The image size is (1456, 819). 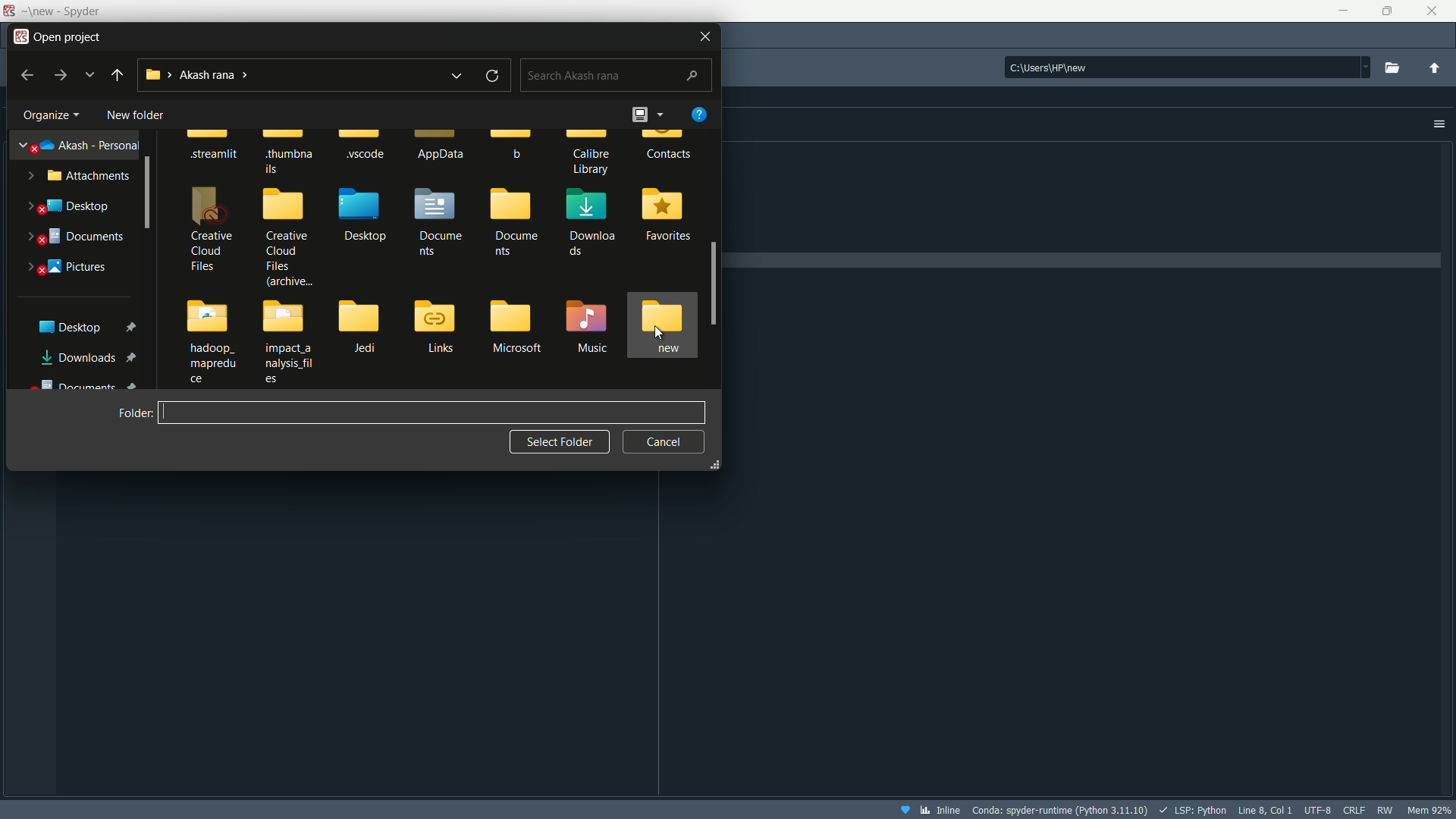 What do you see at coordinates (84, 326) in the screenshot?
I see `desktop` at bounding box center [84, 326].